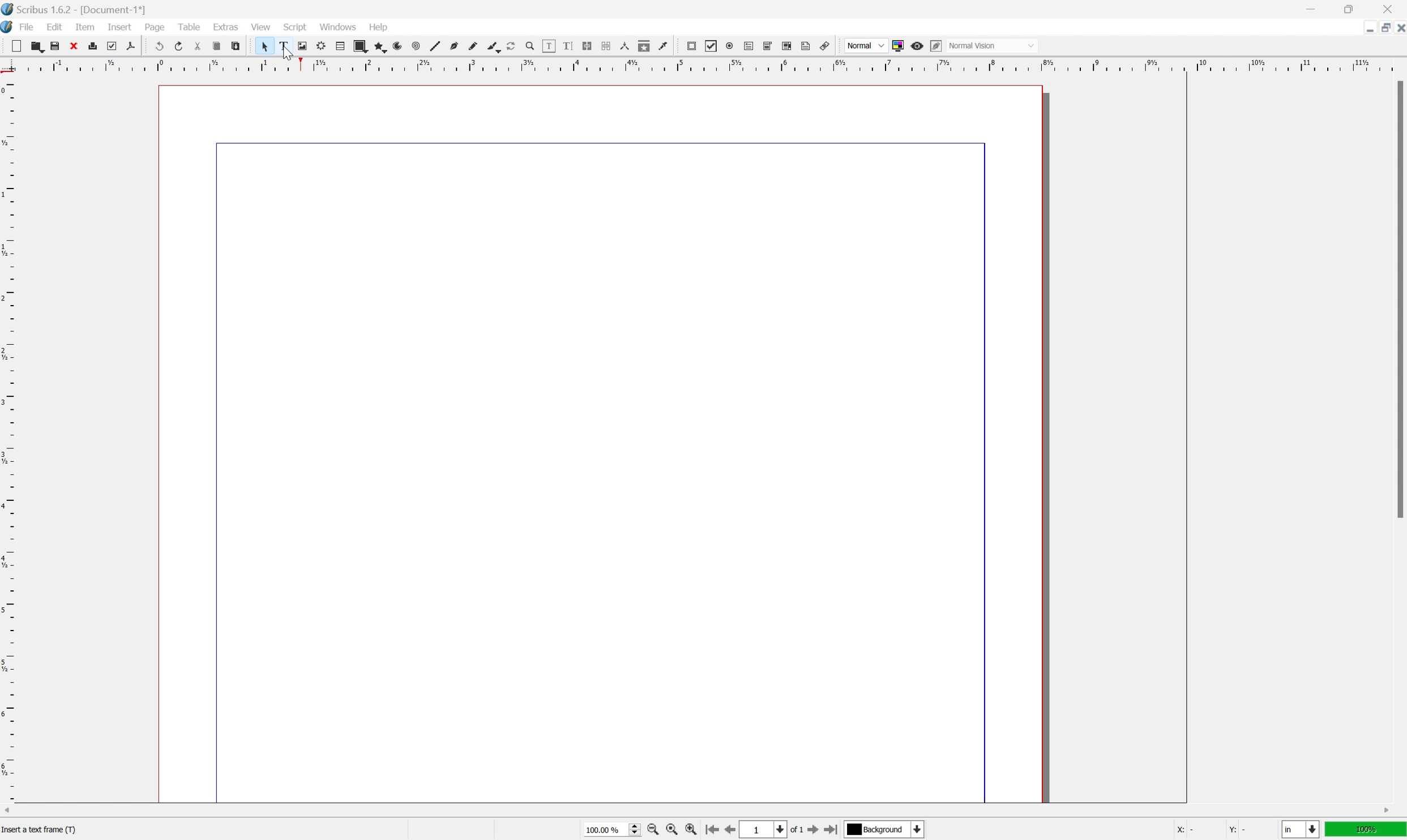 This screenshot has height=840, width=1407. I want to click on ruler, so click(9, 438).